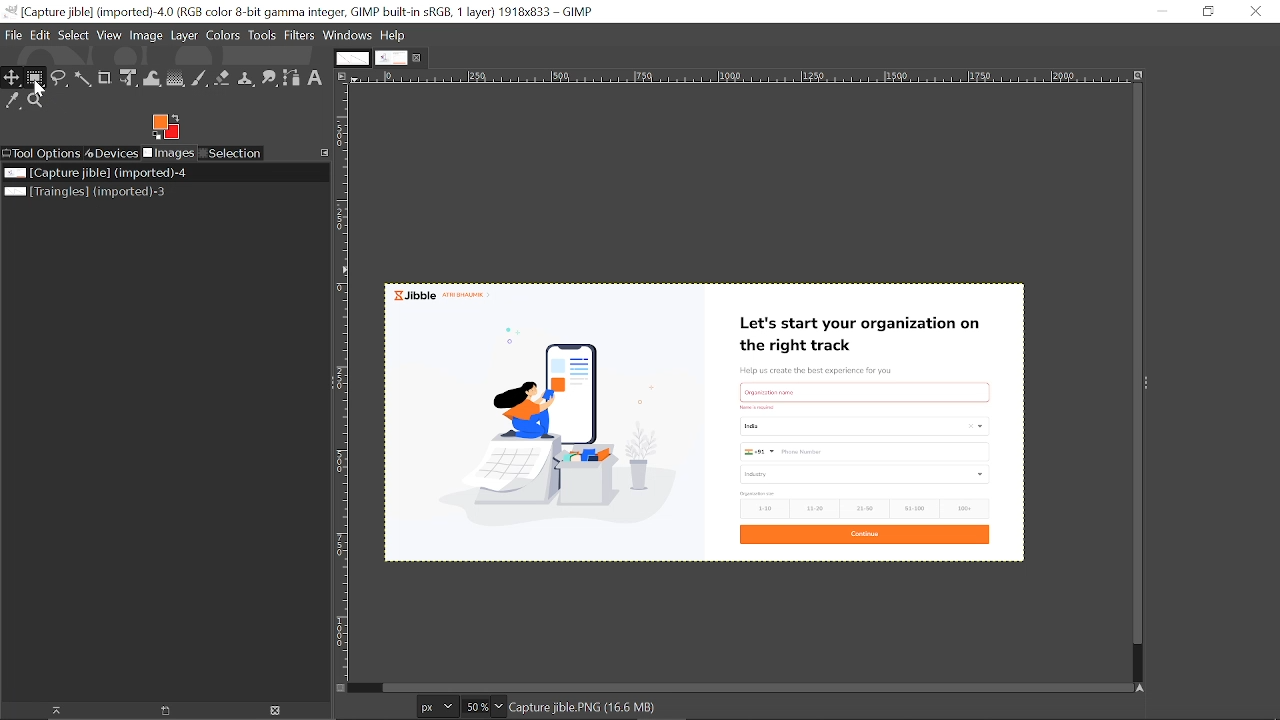 The height and width of the screenshot is (720, 1280). Describe the element at coordinates (394, 35) in the screenshot. I see `Help` at that location.